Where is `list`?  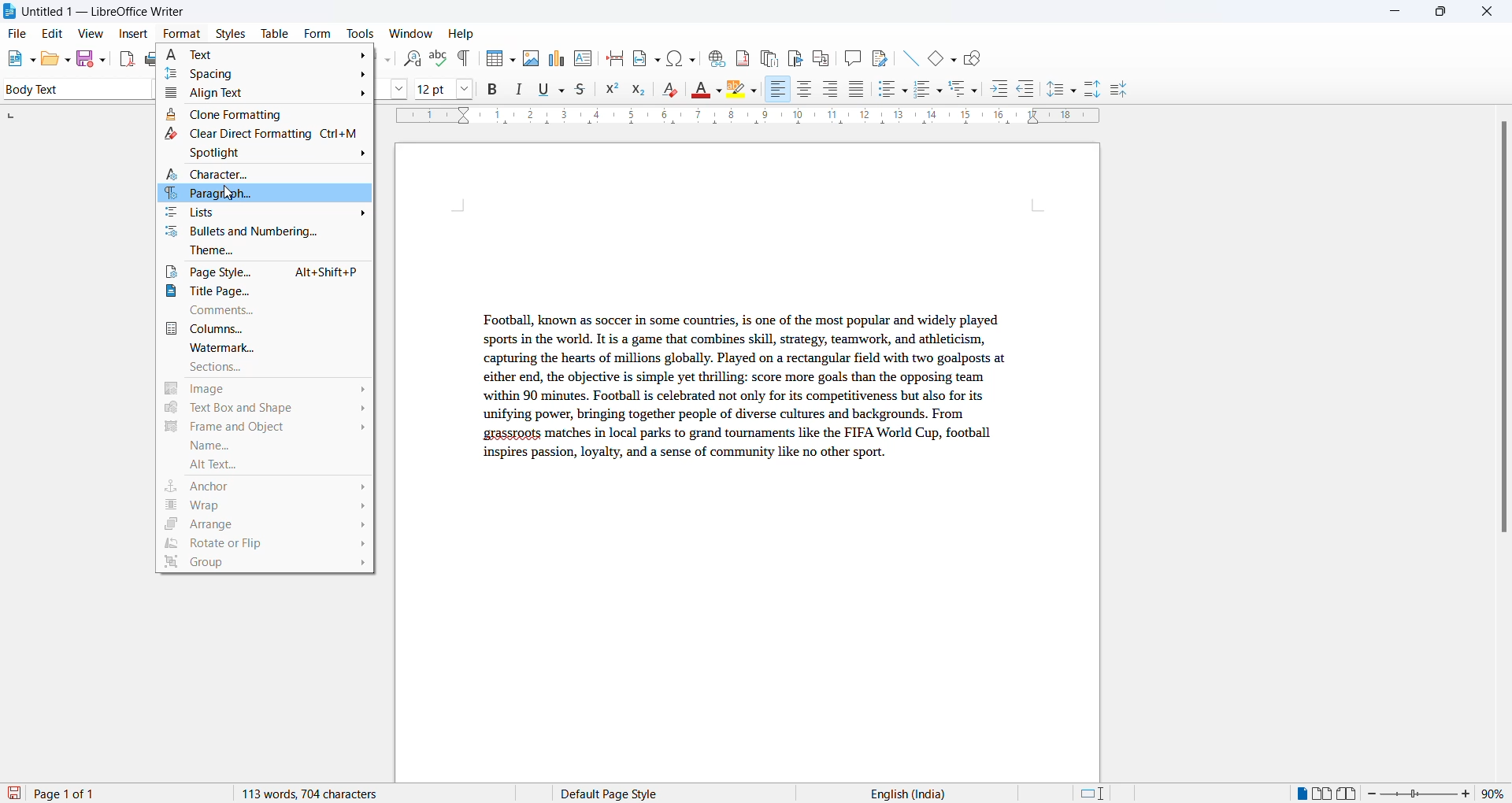
list is located at coordinates (265, 215).